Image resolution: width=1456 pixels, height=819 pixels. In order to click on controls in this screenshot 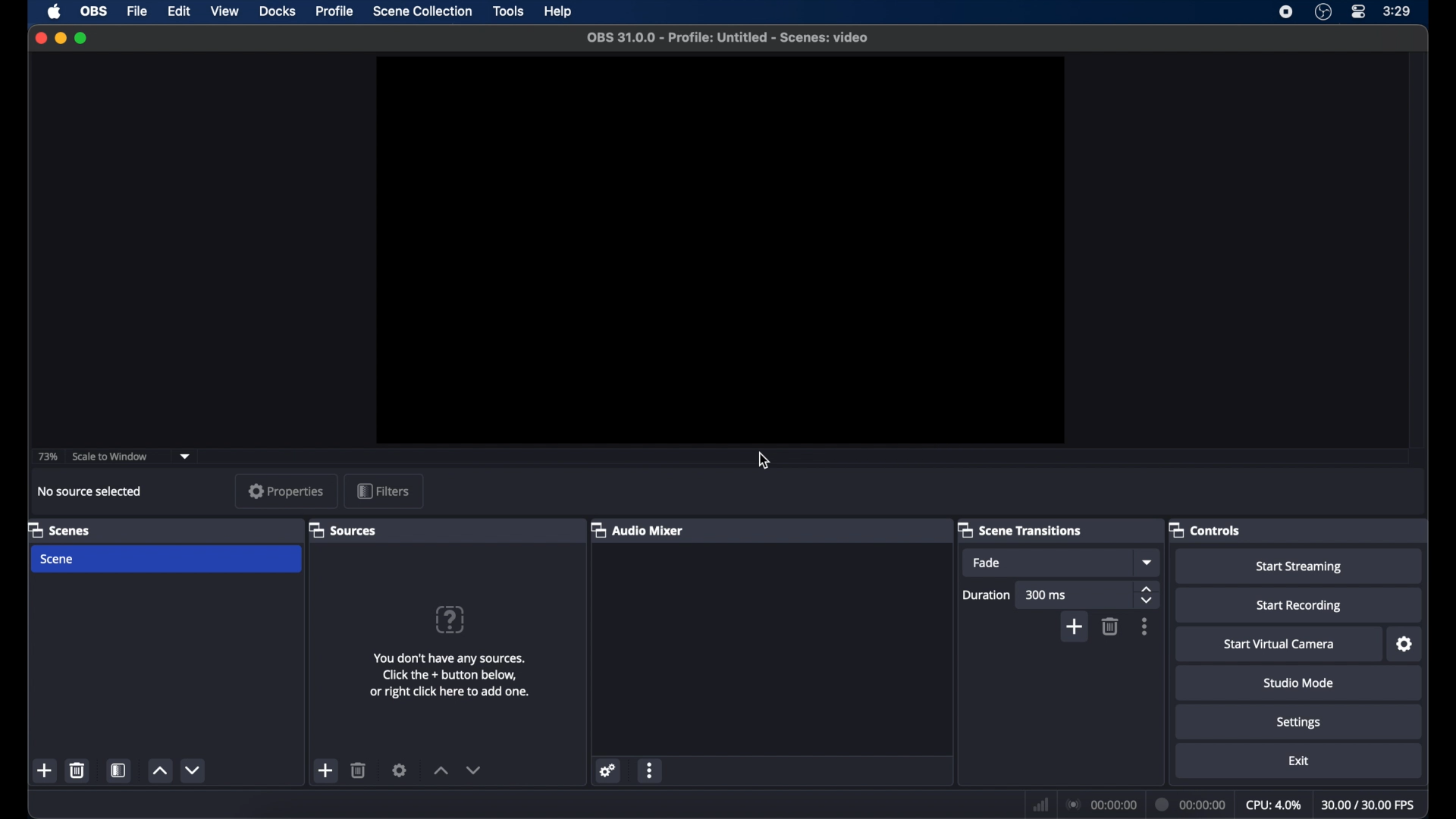, I will do `click(1206, 529)`.